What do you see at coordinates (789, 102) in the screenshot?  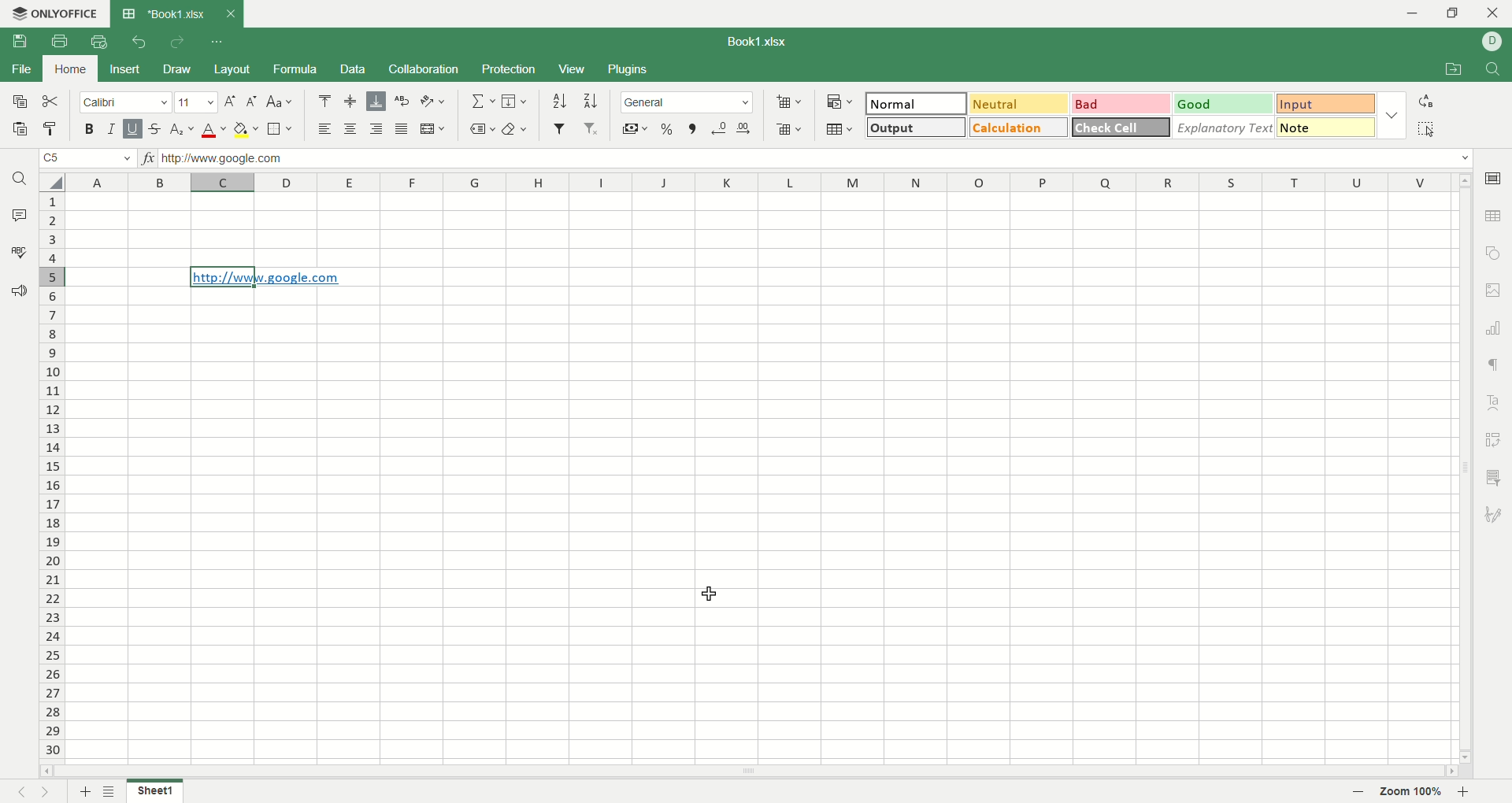 I see `add cell` at bounding box center [789, 102].